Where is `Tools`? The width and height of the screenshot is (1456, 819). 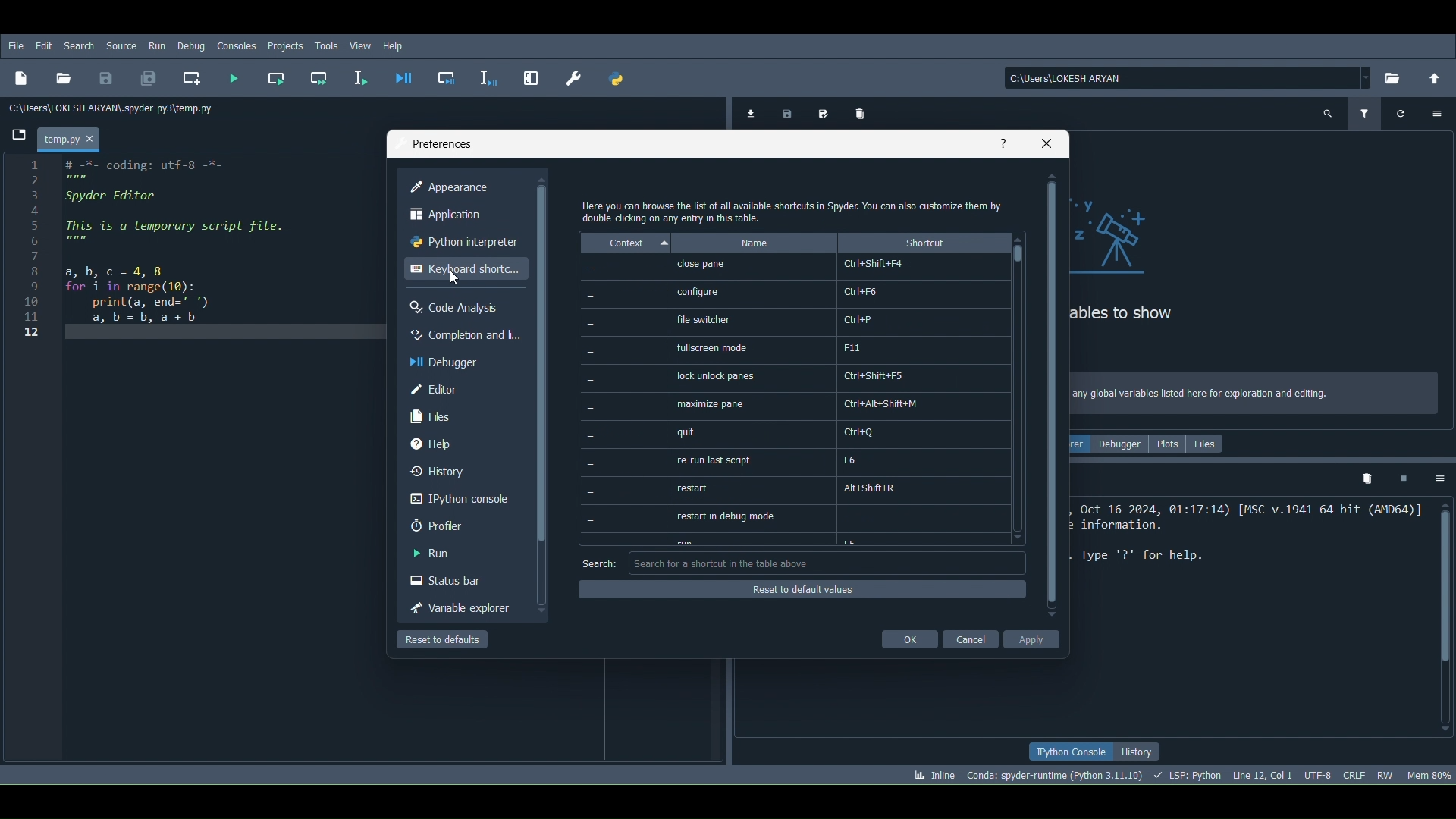 Tools is located at coordinates (329, 45).